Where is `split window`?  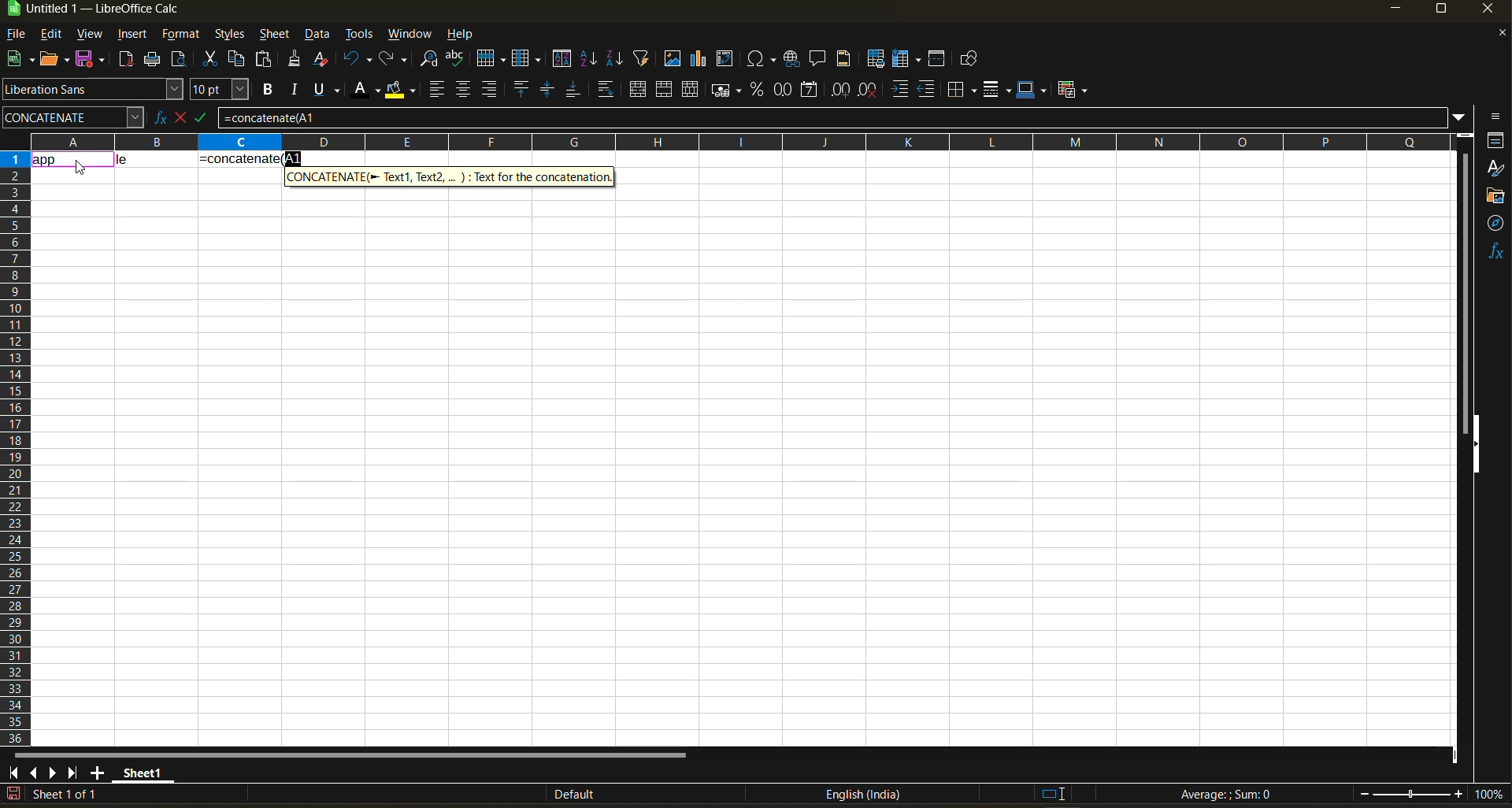
split window is located at coordinates (939, 60).